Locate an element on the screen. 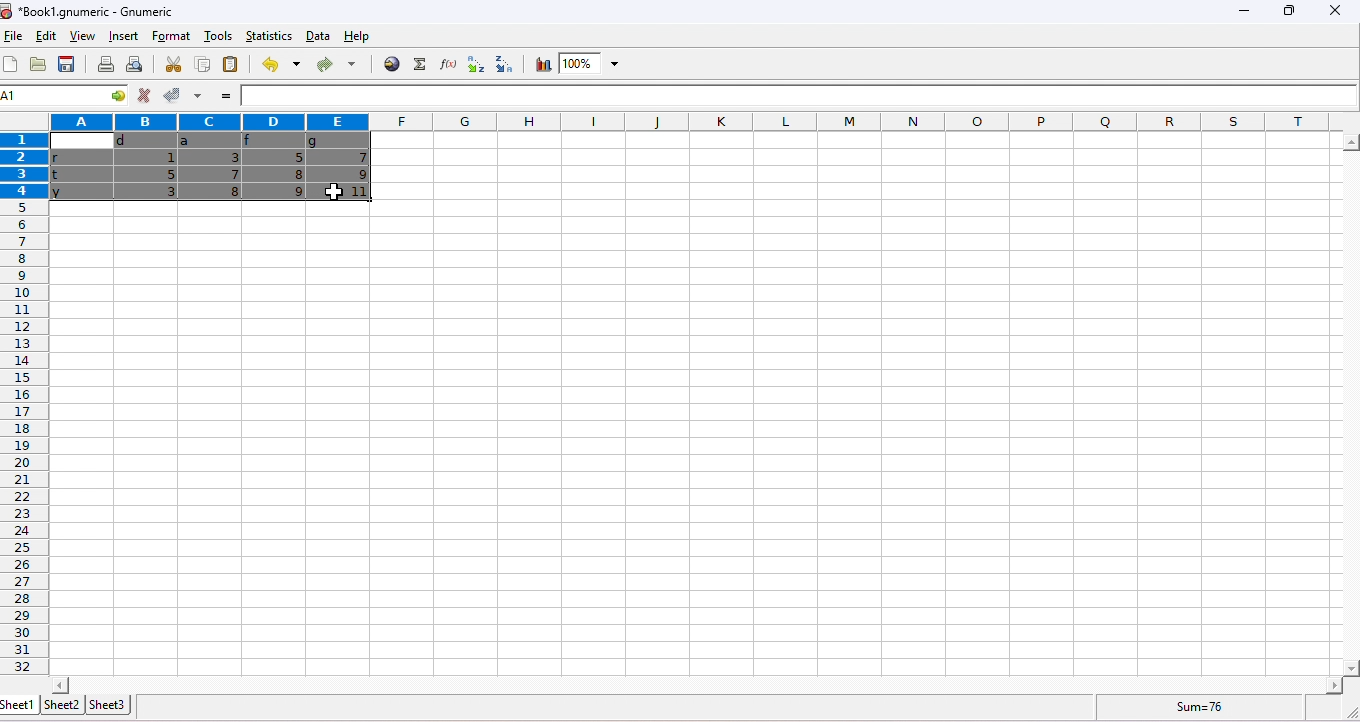 Image resolution: width=1360 pixels, height=722 pixels. cut is located at coordinates (174, 64).